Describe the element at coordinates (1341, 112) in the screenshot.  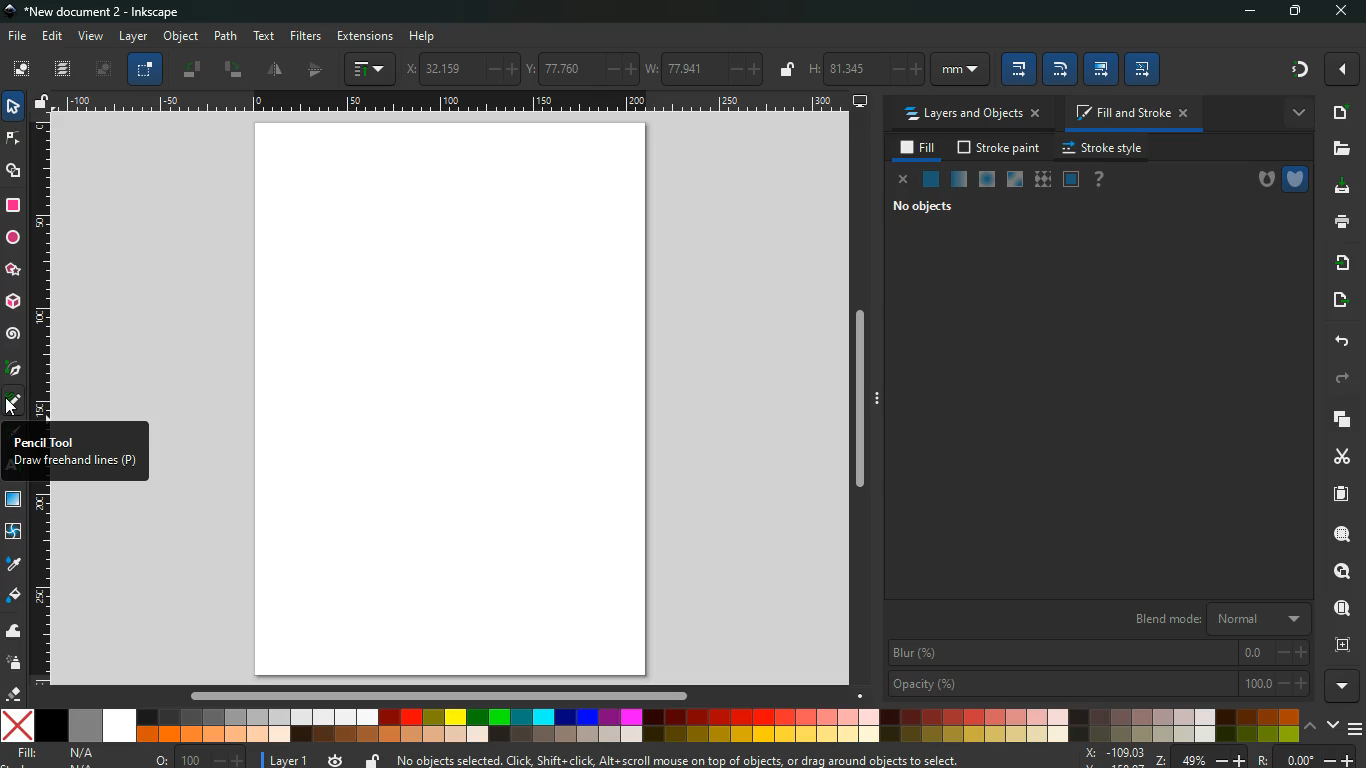
I see `new` at that location.